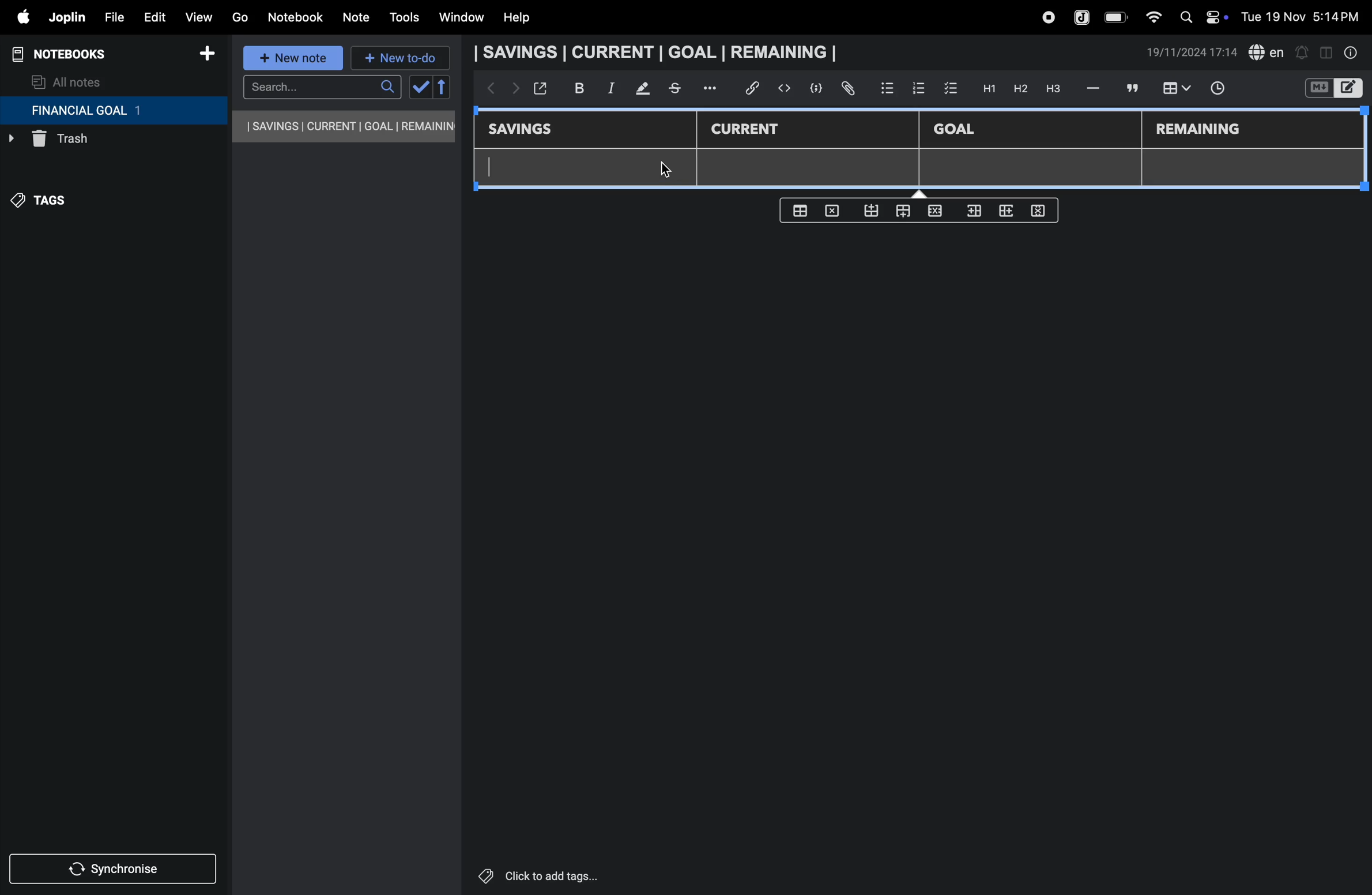  What do you see at coordinates (987, 89) in the screenshot?
I see `H1` at bounding box center [987, 89].